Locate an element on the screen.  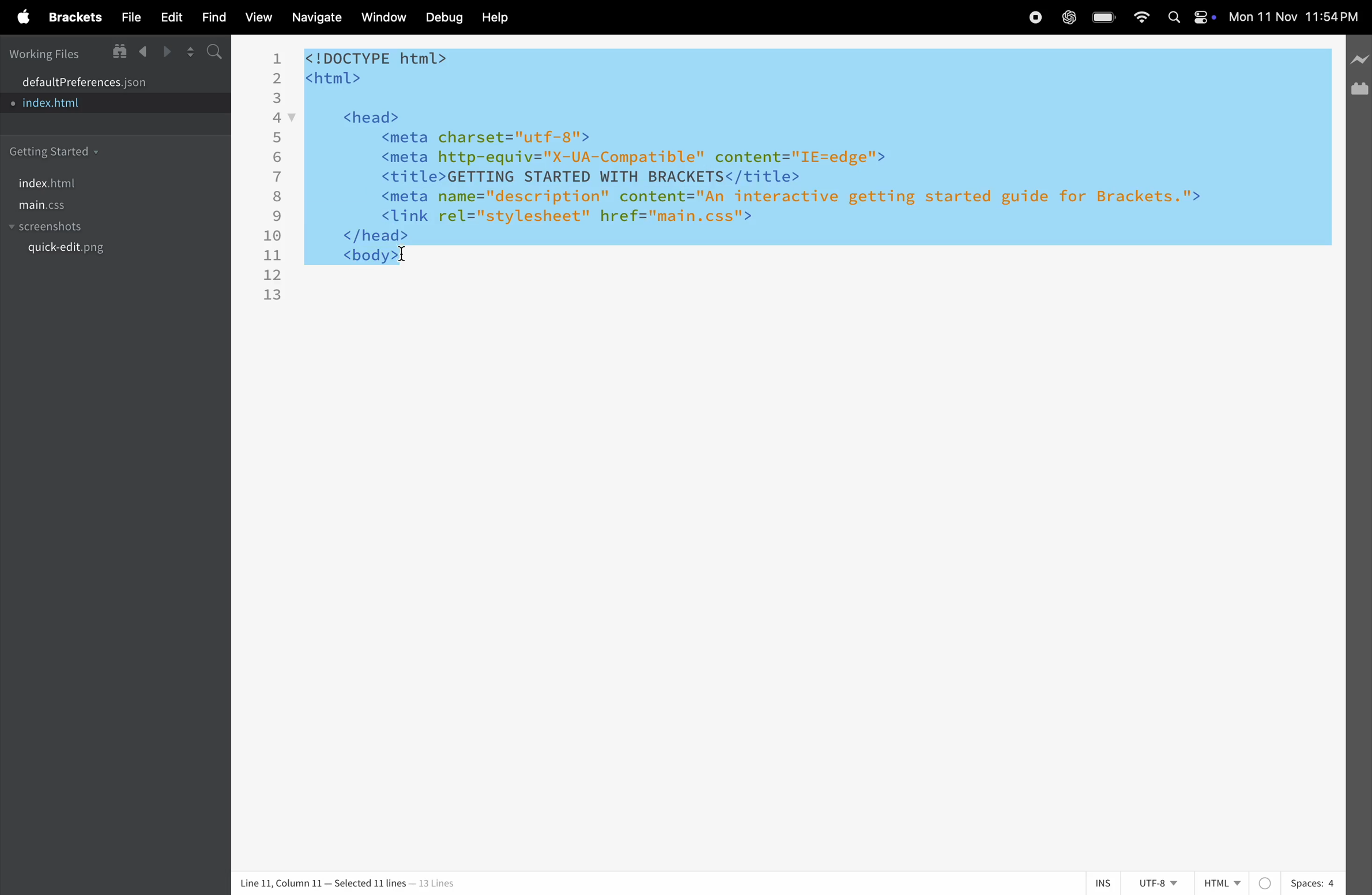
ins is located at coordinates (1103, 882).